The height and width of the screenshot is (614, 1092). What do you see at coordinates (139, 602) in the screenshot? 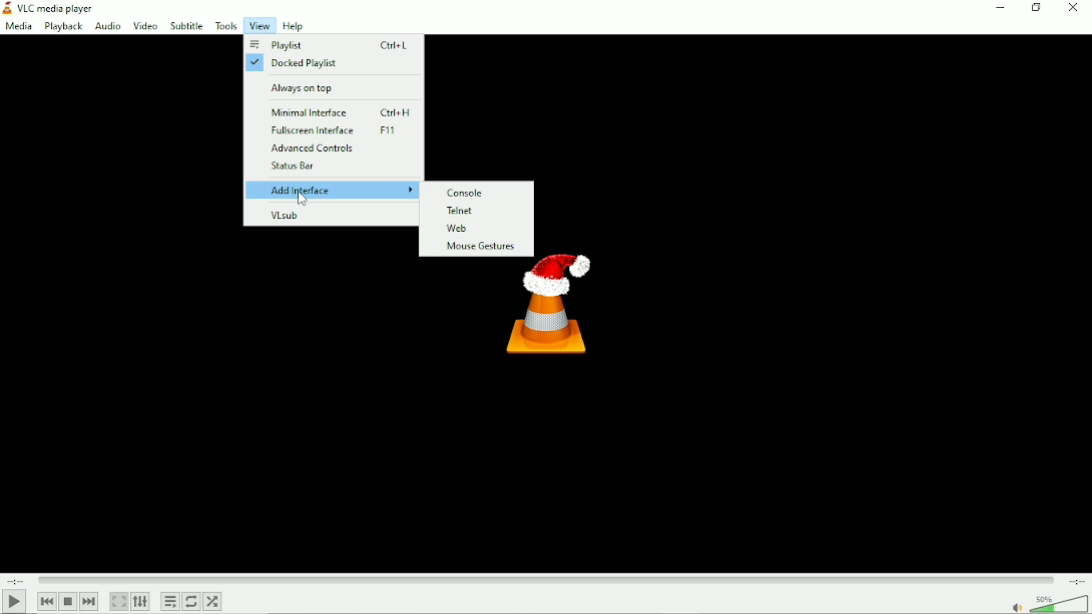
I see `Show extended settings` at bounding box center [139, 602].